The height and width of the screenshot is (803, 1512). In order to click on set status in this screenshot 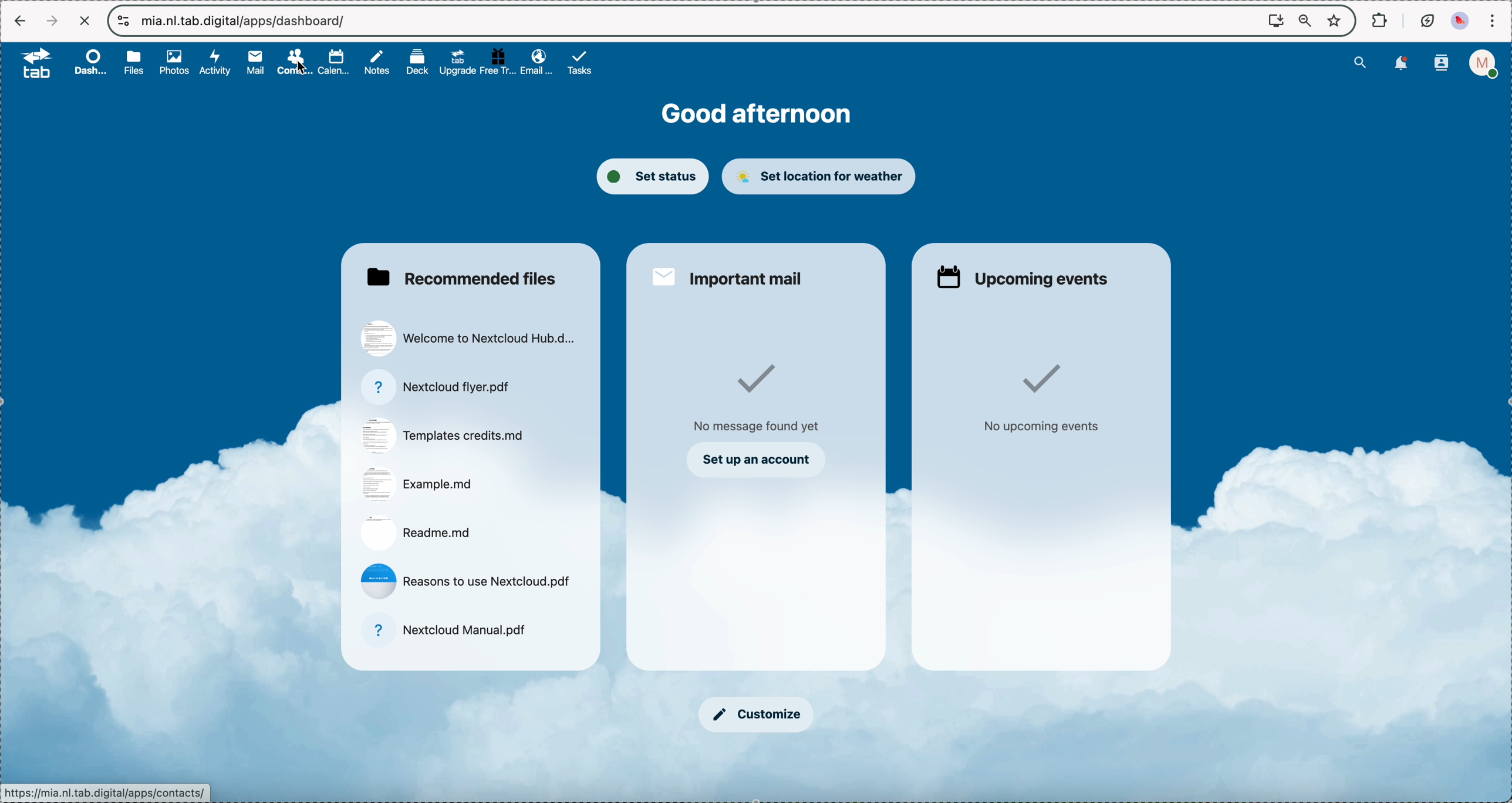, I will do `click(653, 177)`.